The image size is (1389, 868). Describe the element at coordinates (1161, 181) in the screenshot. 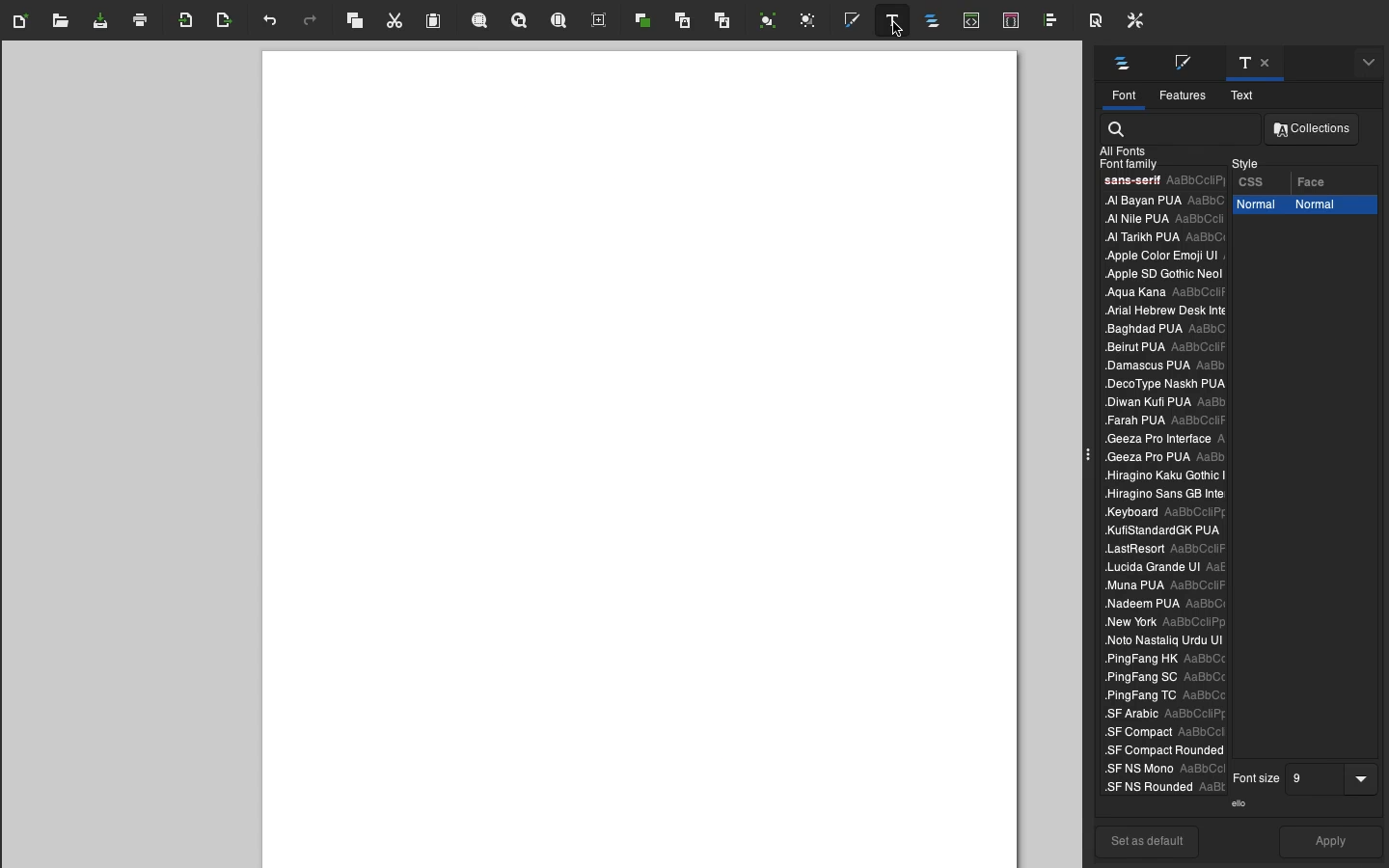

I see `sans-serif` at that location.